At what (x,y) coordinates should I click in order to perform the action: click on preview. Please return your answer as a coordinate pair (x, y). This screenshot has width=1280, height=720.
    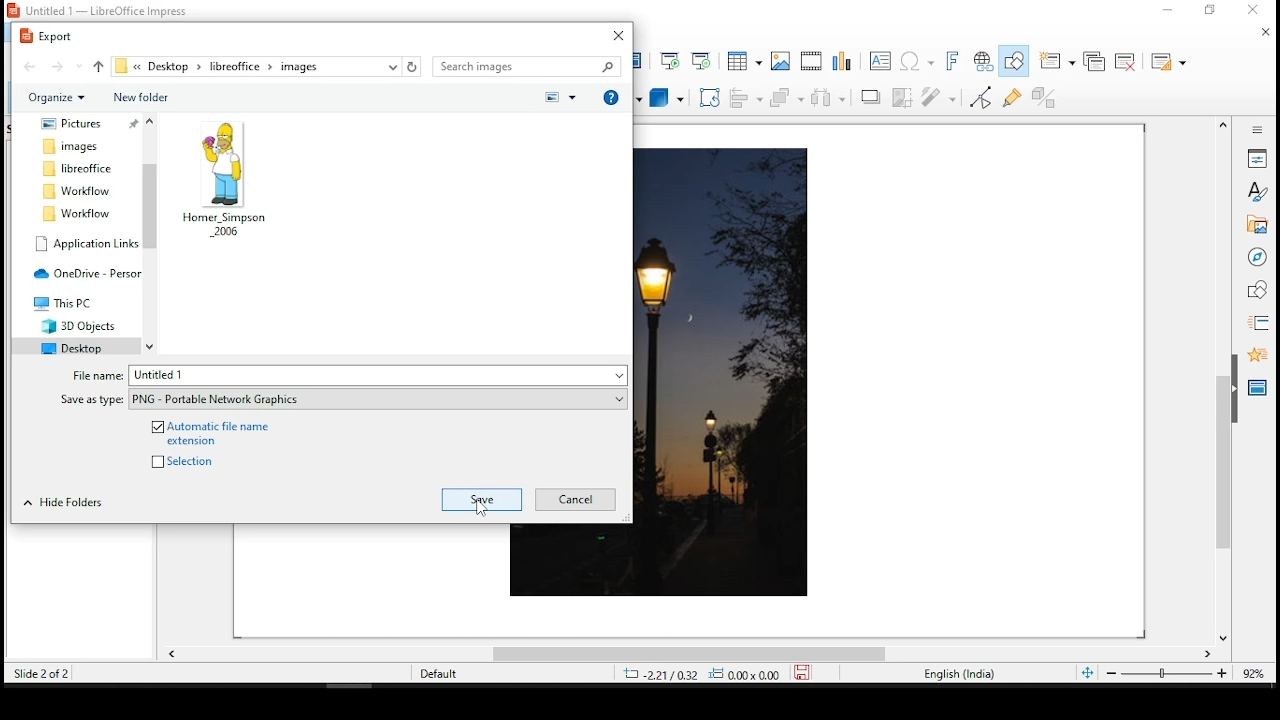
    Looking at the image, I should click on (559, 97).